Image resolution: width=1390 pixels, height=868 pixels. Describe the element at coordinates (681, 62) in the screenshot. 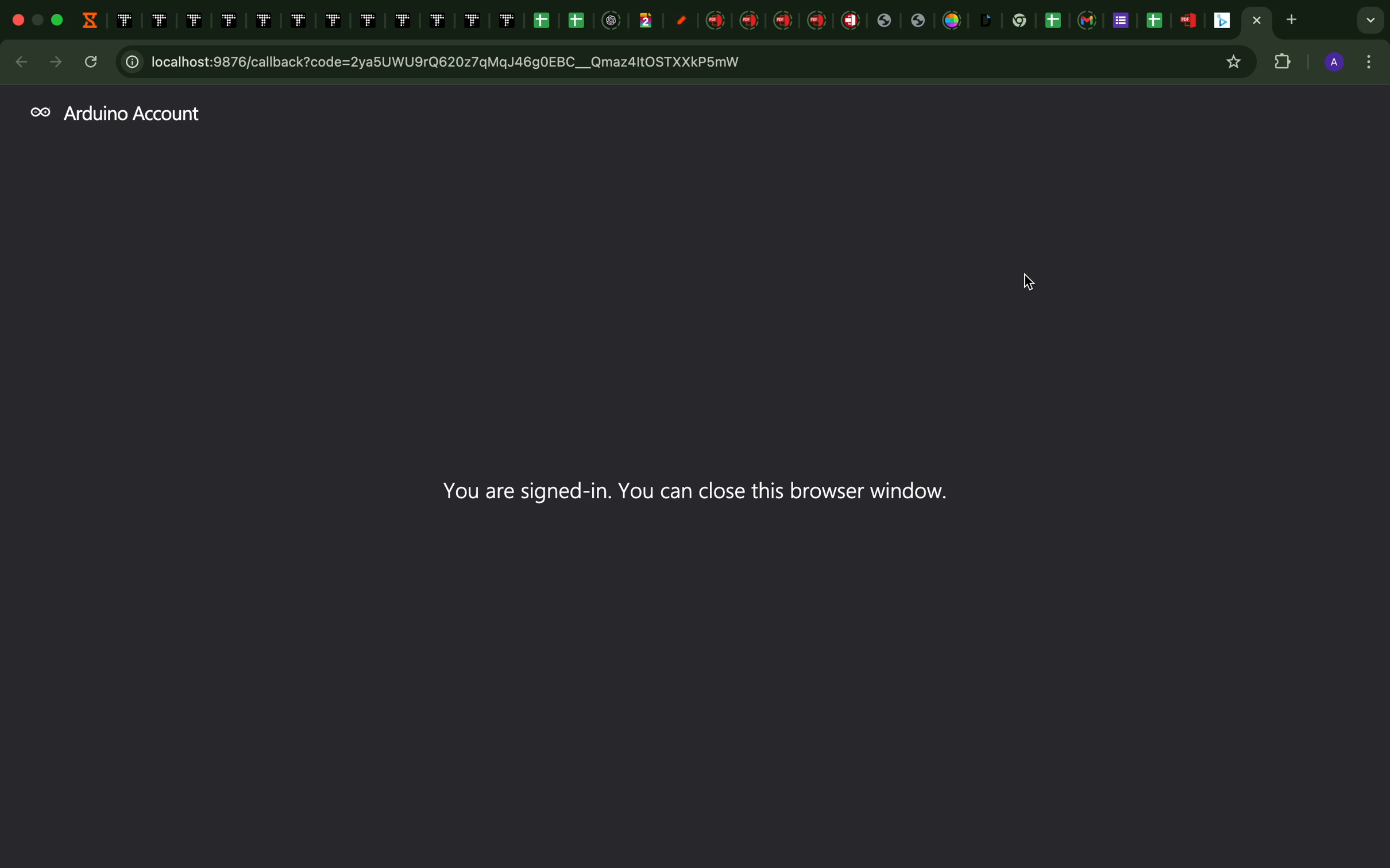

I see `URL` at that location.